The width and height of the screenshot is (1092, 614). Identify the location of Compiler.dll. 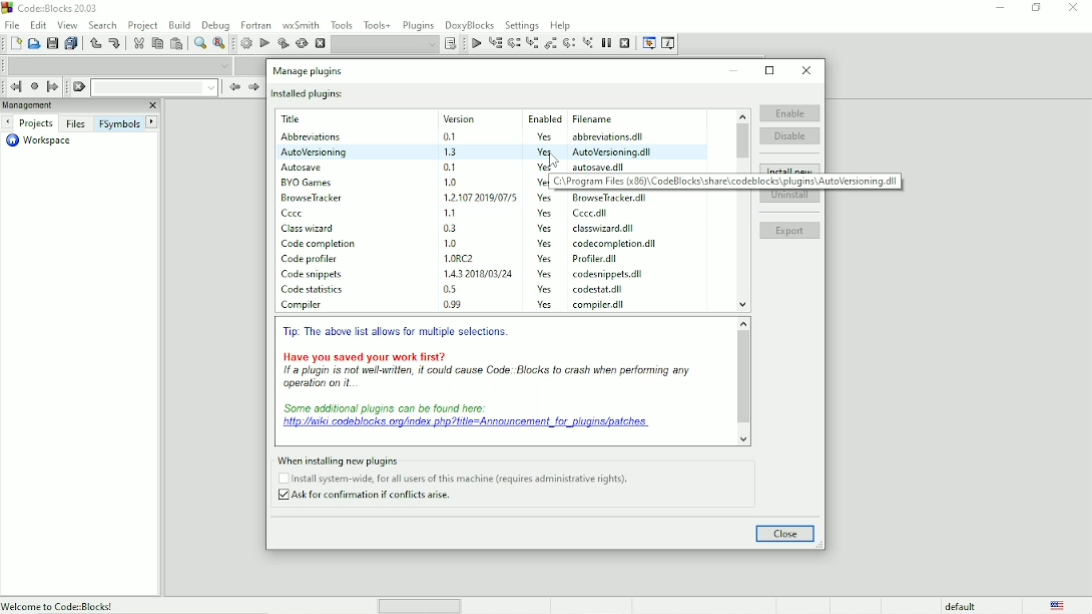
(602, 305).